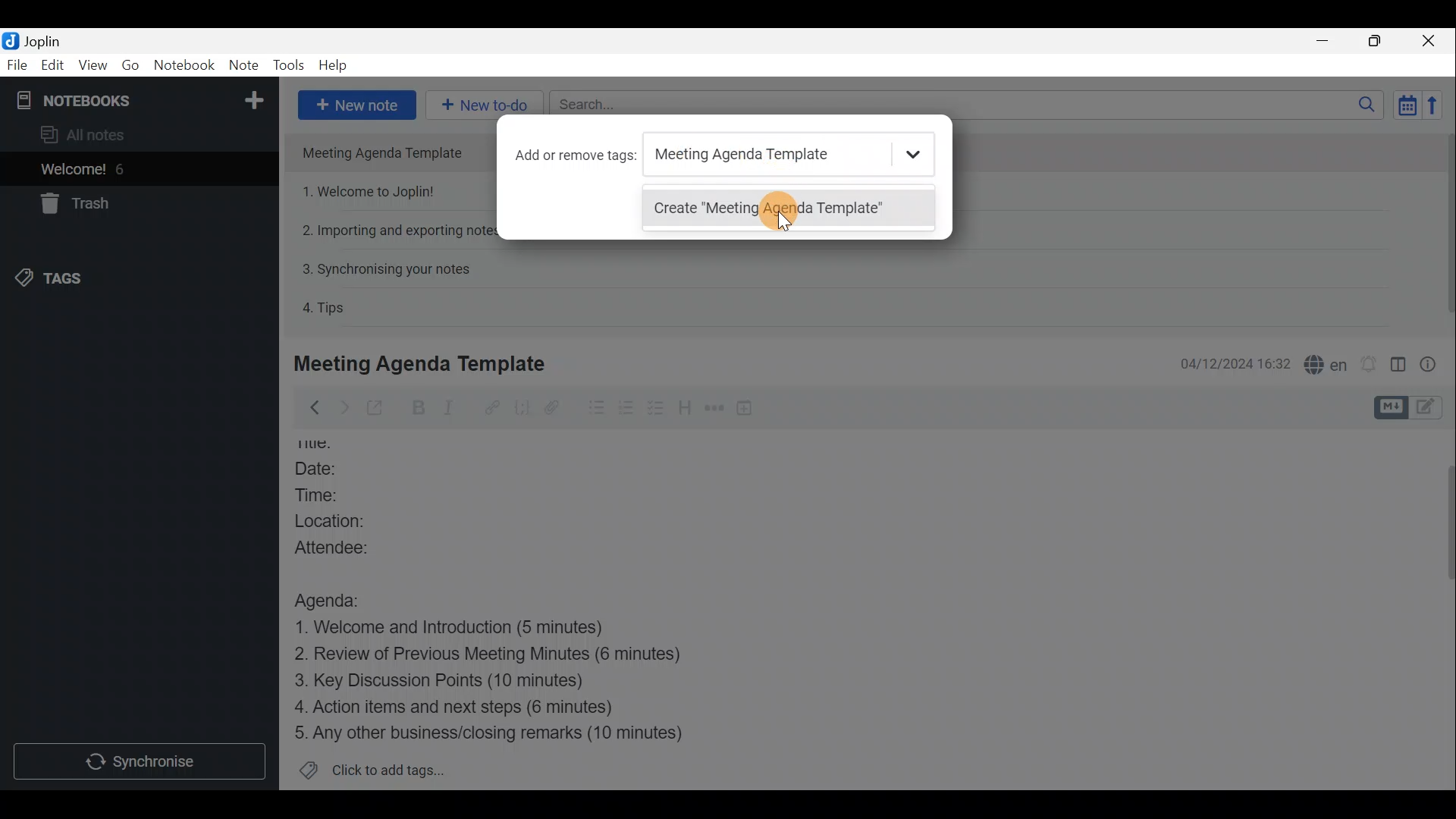 The image size is (1456, 819). I want to click on Key Discussion Points (10 minutes), so click(445, 682).